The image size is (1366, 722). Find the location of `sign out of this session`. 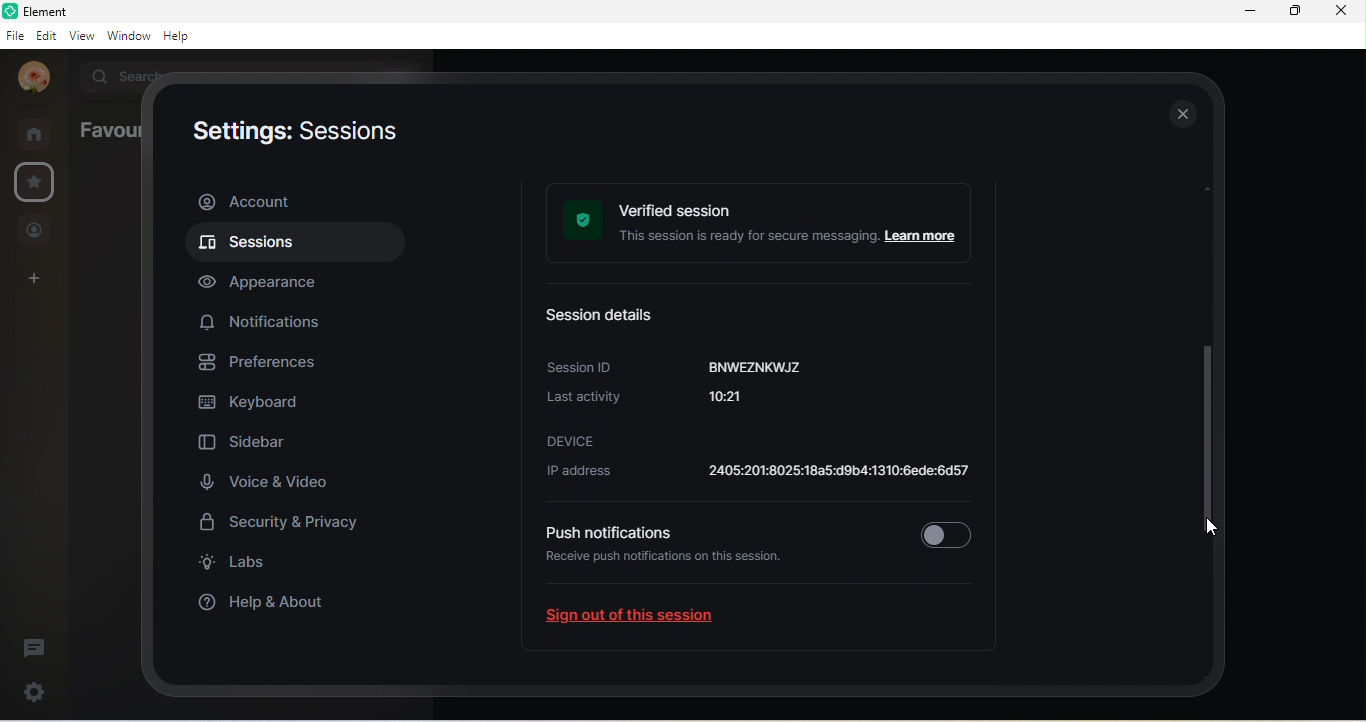

sign out of this session is located at coordinates (646, 620).